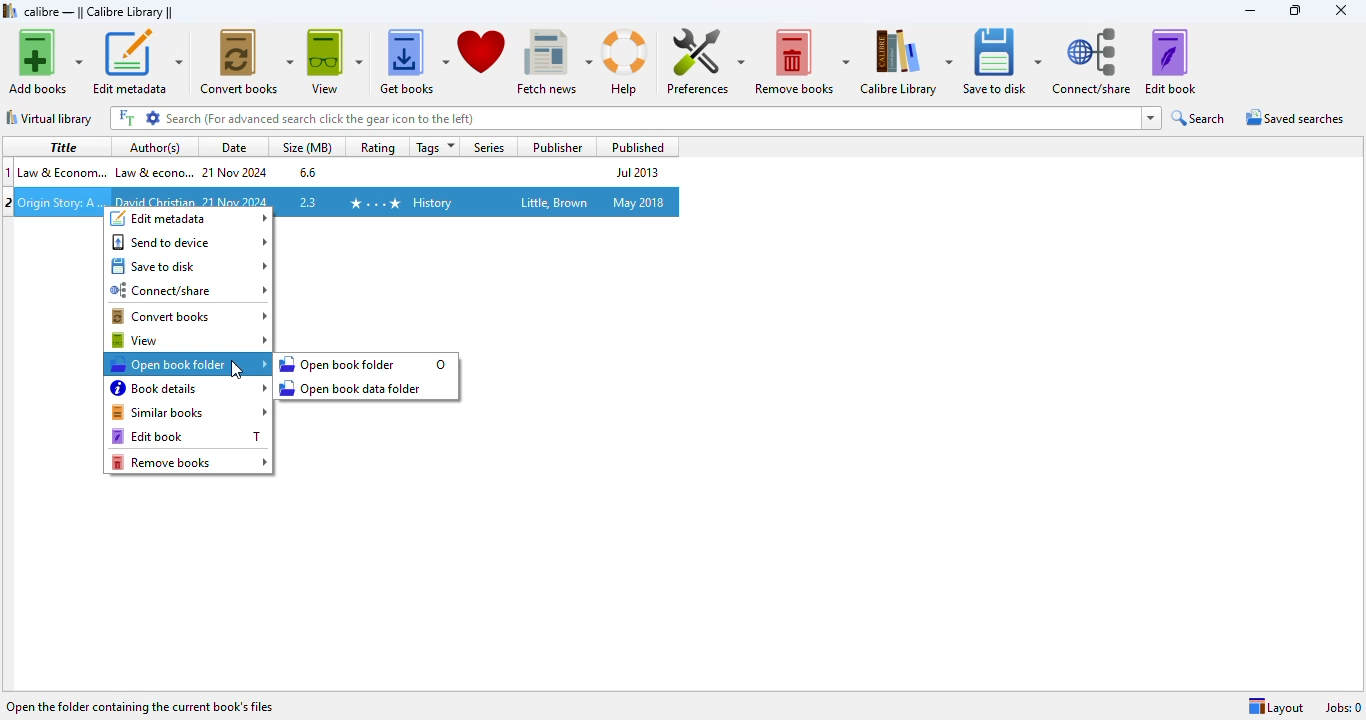  I want to click on remove books, so click(802, 61).